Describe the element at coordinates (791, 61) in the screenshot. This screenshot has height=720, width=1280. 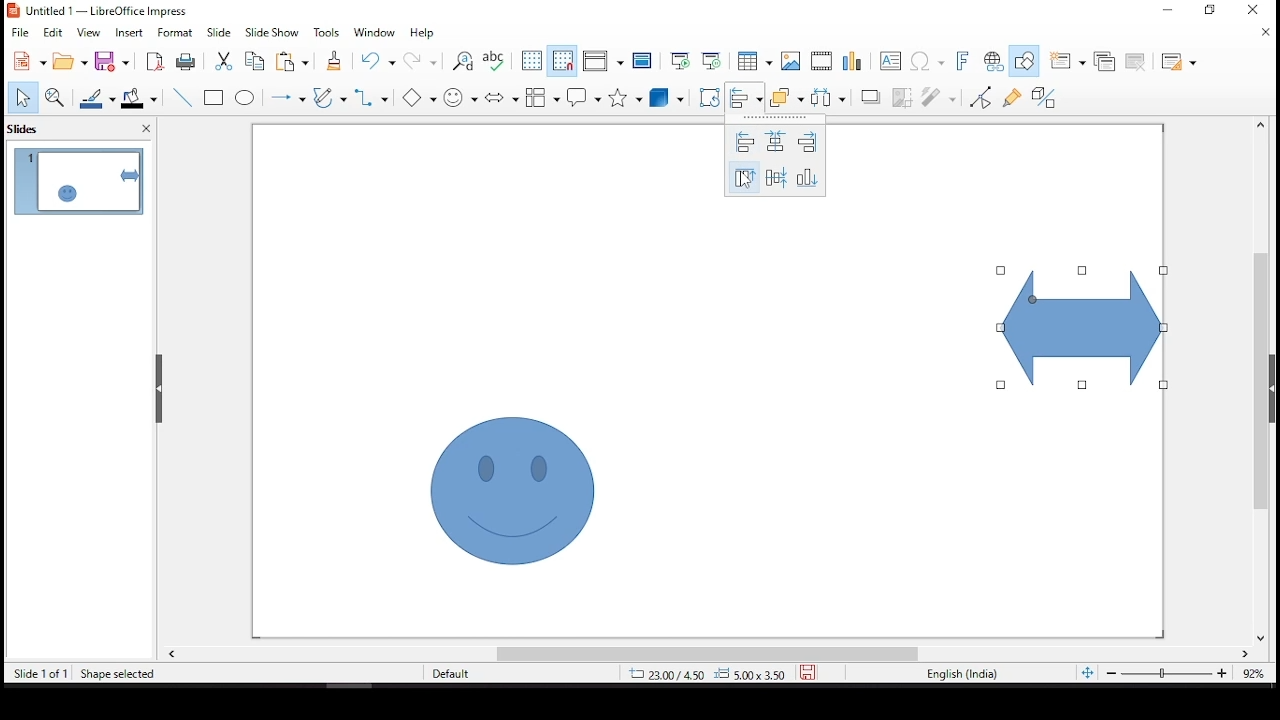
I see `image` at that location.